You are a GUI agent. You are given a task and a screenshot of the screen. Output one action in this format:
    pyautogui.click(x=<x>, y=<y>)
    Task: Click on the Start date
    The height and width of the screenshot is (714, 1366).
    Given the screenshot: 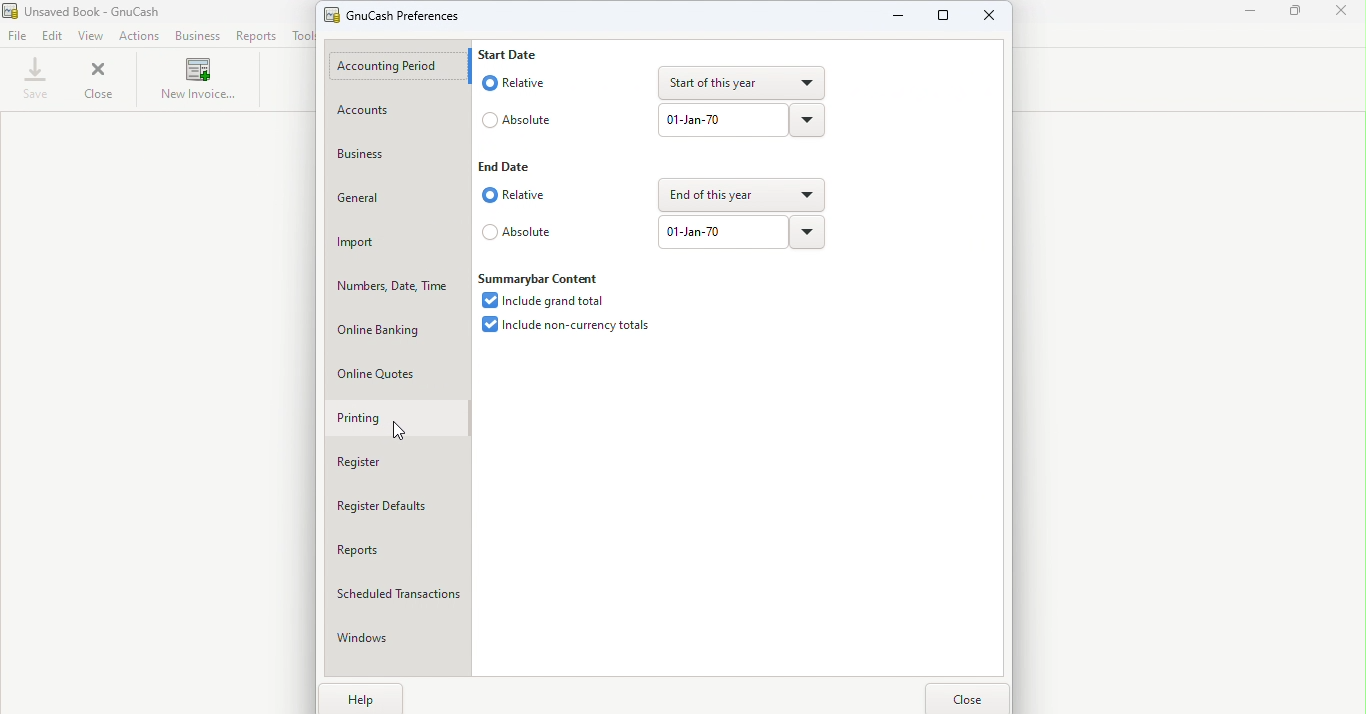 What is the action you would take?
    pyautogui.click(x=521, y=54)
    